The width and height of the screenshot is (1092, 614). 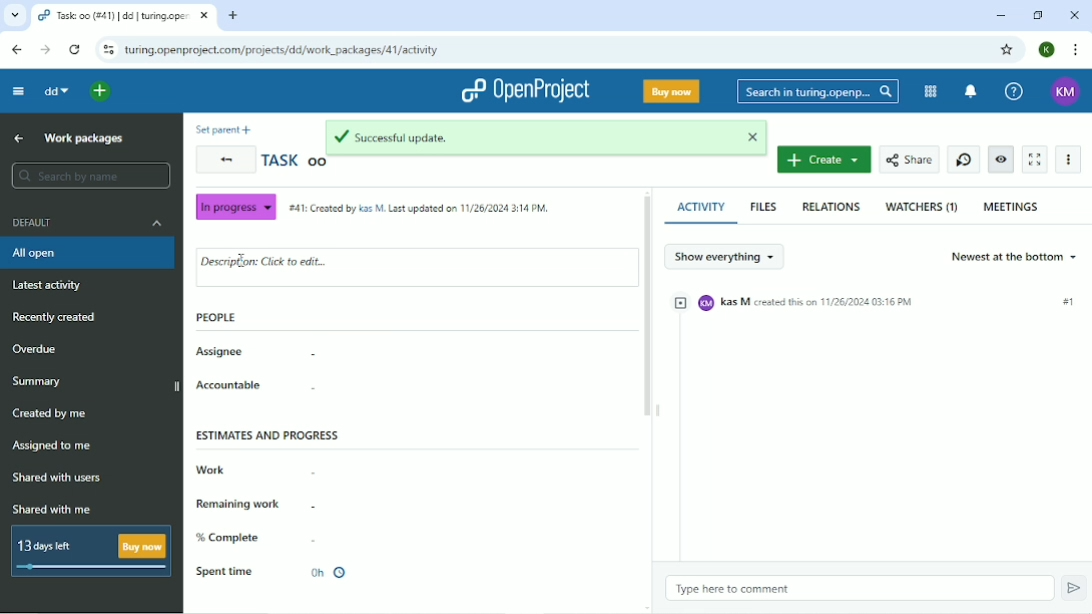 What do you see at coordinates (40, 349) in the screenshot?
I see `Overdue` at bounding box center [40, 349].